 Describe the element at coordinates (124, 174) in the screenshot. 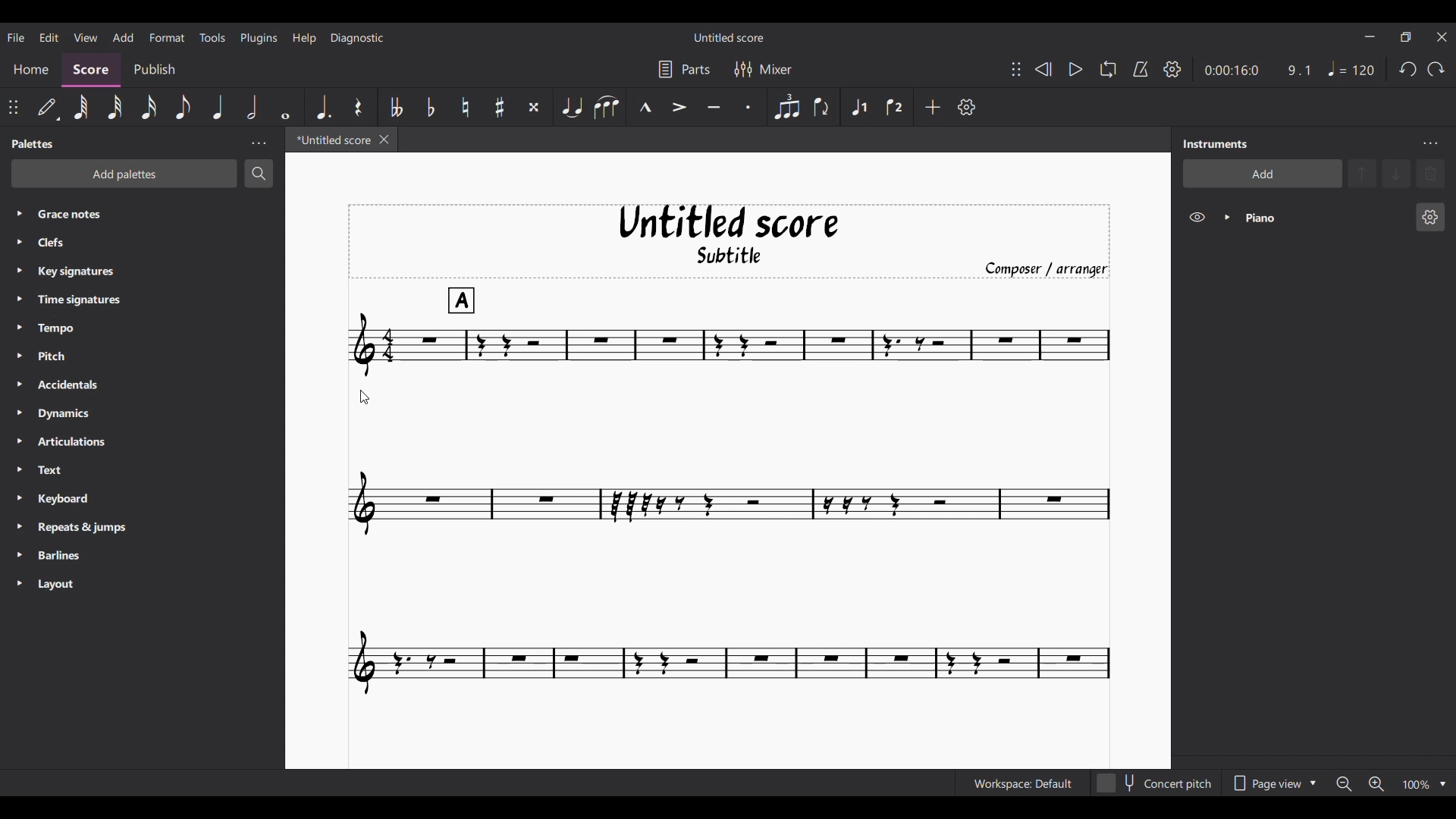

I see `Add palette` at that location.